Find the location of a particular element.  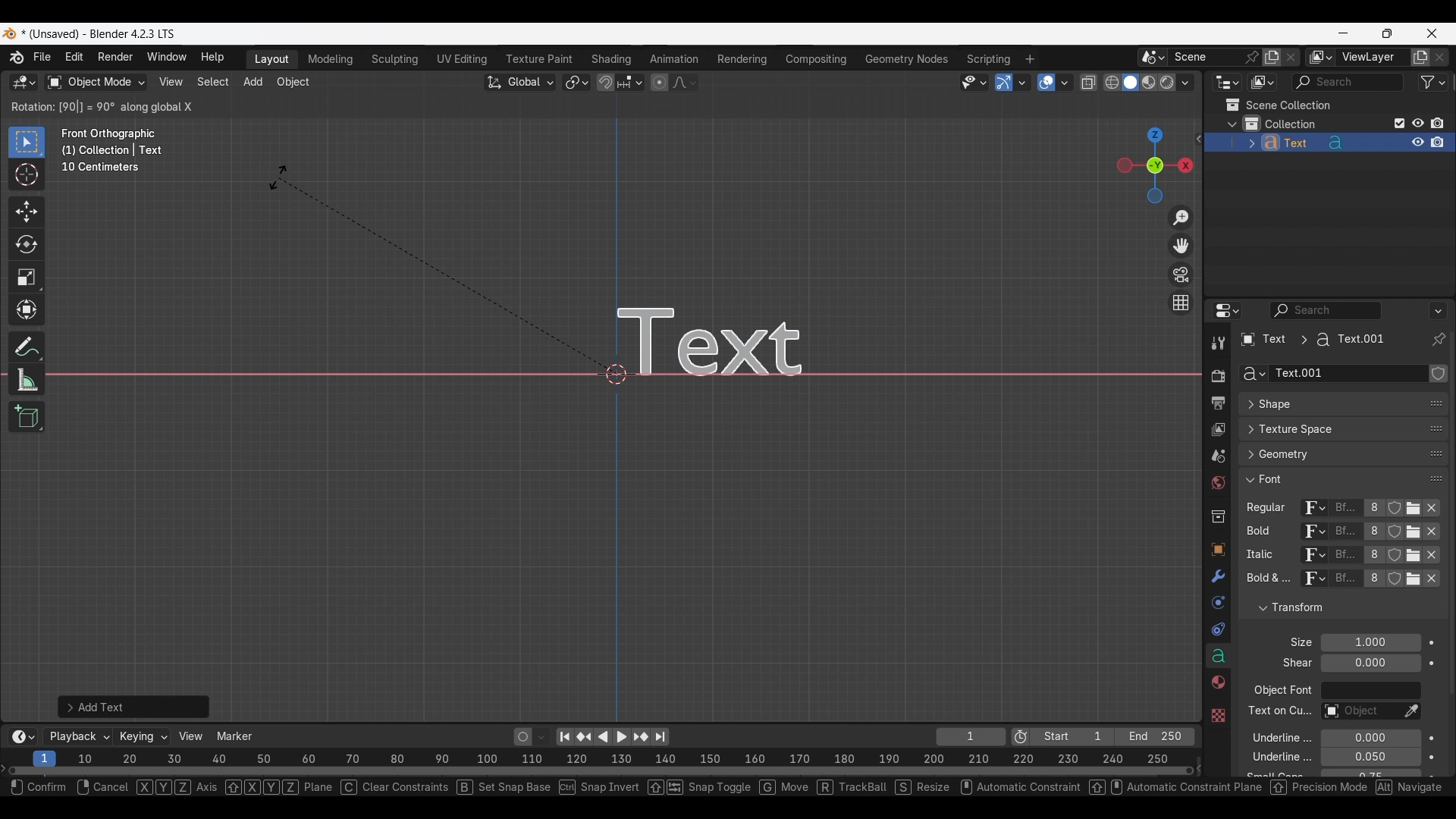

Exclude from view layer is located at coordinates (1400, 123).